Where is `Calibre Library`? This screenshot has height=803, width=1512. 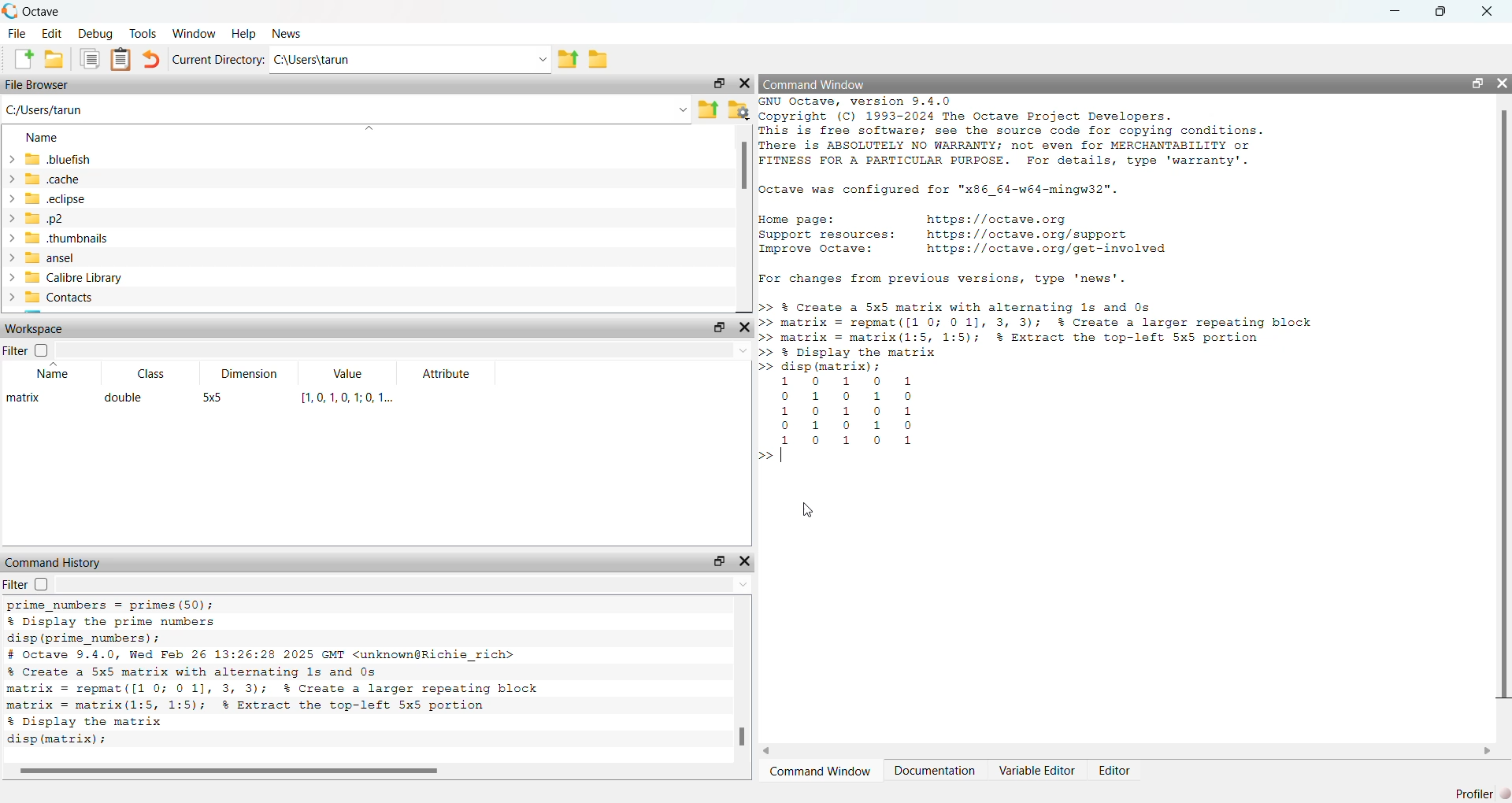
Calibre Library is located at coordinates (74, 278).